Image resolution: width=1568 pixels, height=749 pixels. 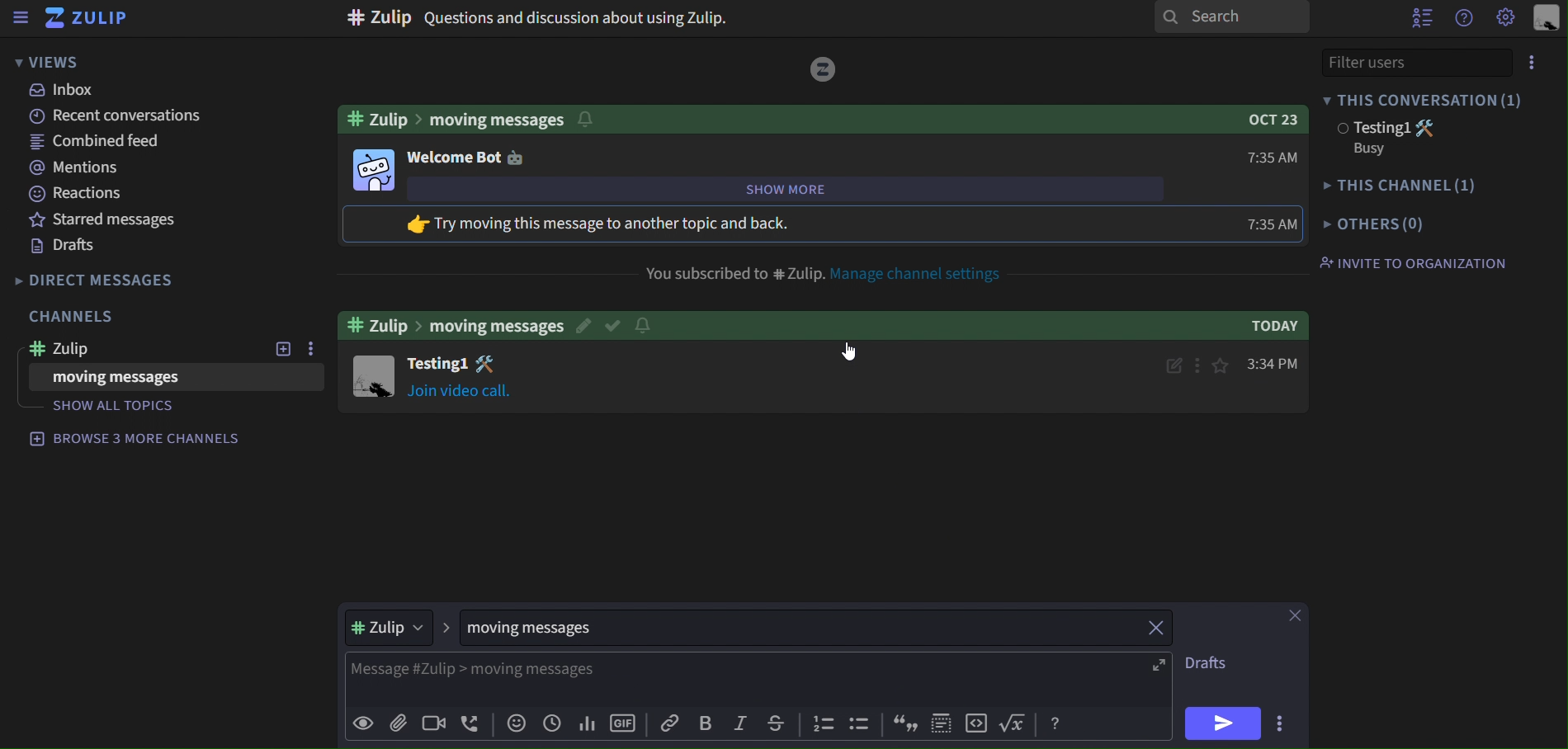 I want to click on copy link, so click(x=670, y=725).